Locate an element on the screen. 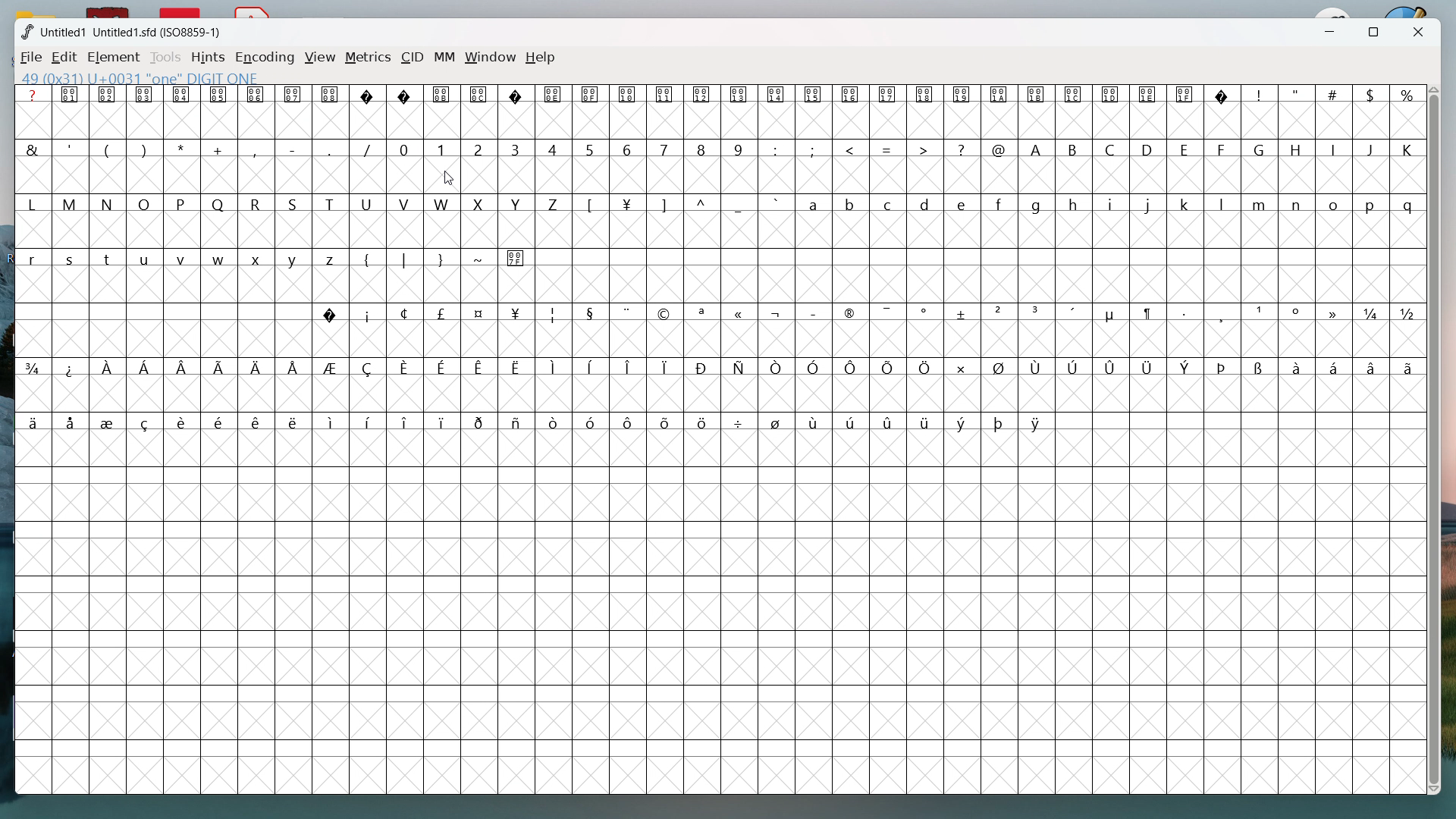 The width and height of the screenshot is (1456, 819). symbol is located at coordinates (816, 93).